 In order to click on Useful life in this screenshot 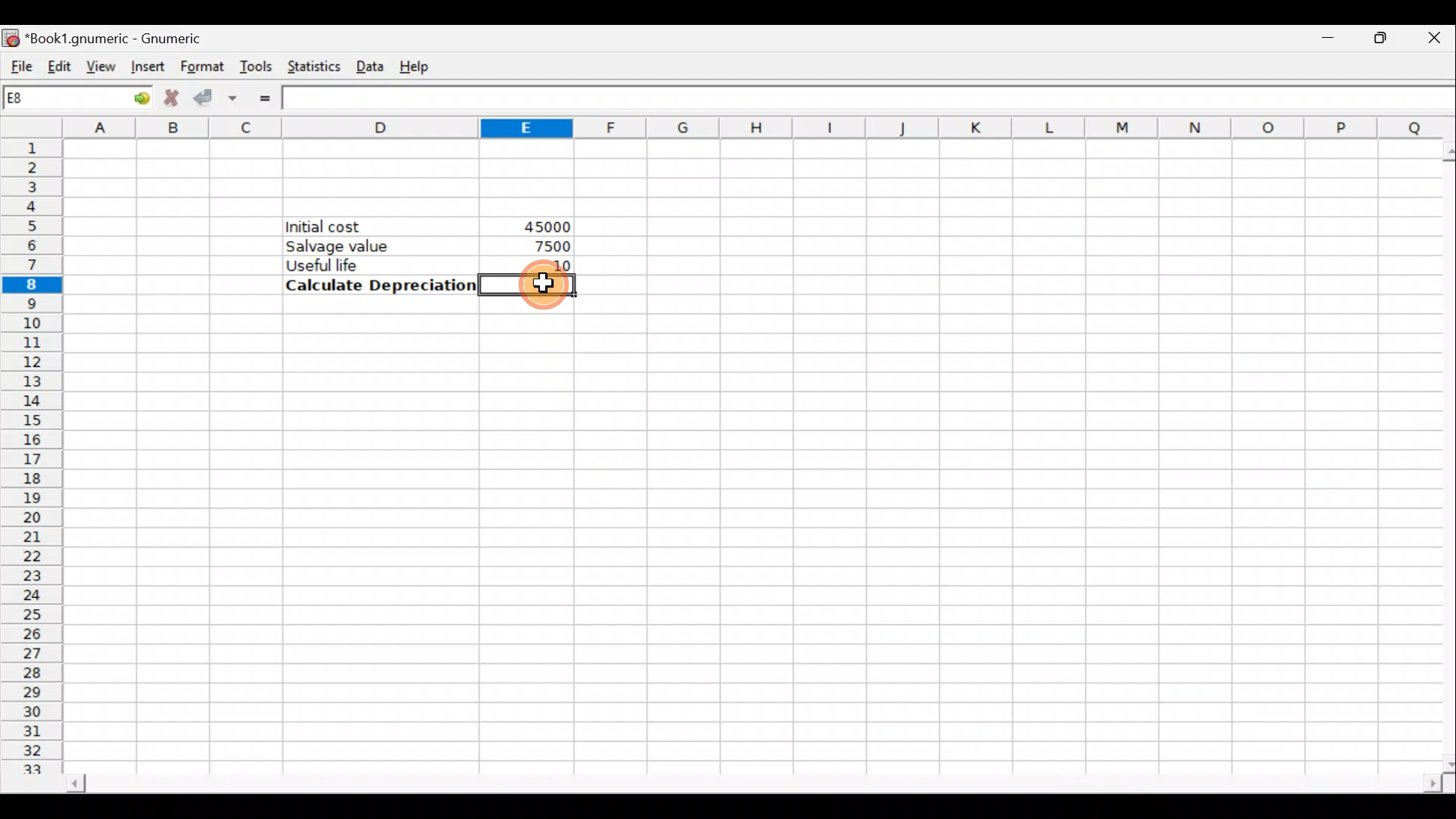, I will do `click(372, 265)`.